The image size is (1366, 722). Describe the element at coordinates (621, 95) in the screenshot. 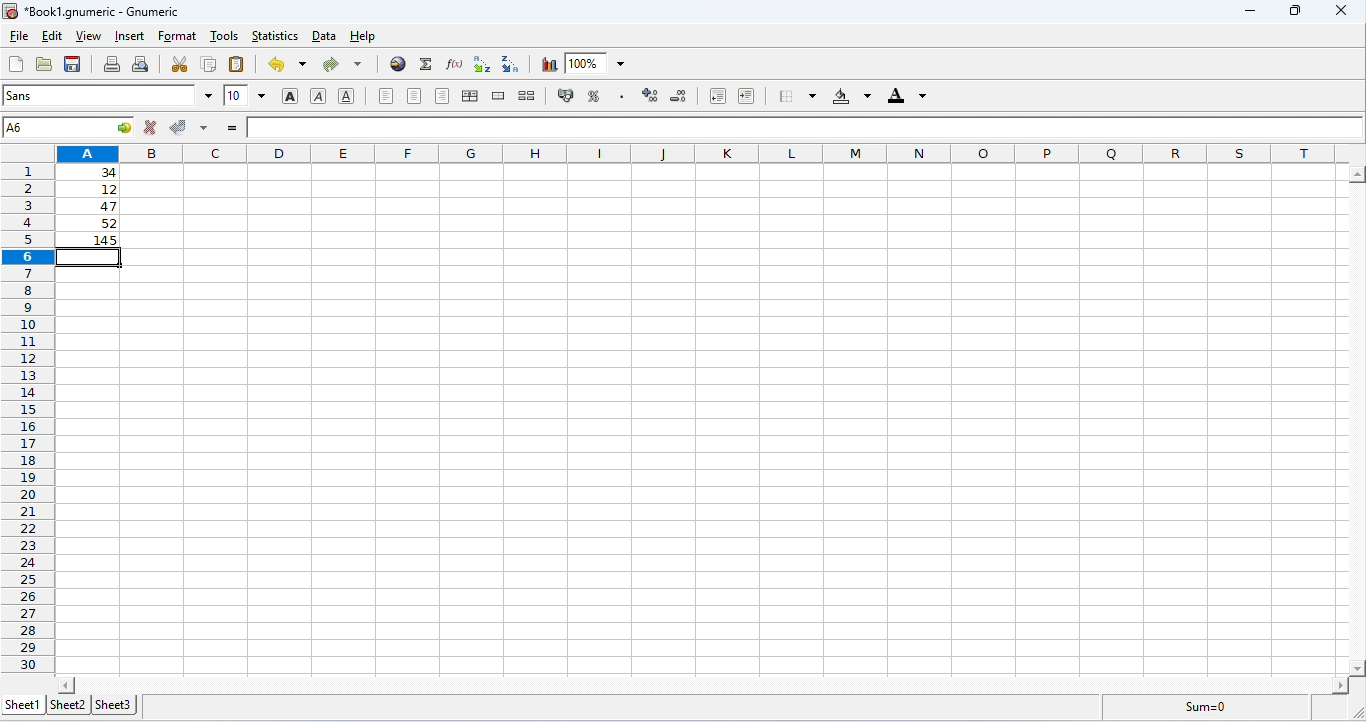

I see `includes a thousands separator` at that location.